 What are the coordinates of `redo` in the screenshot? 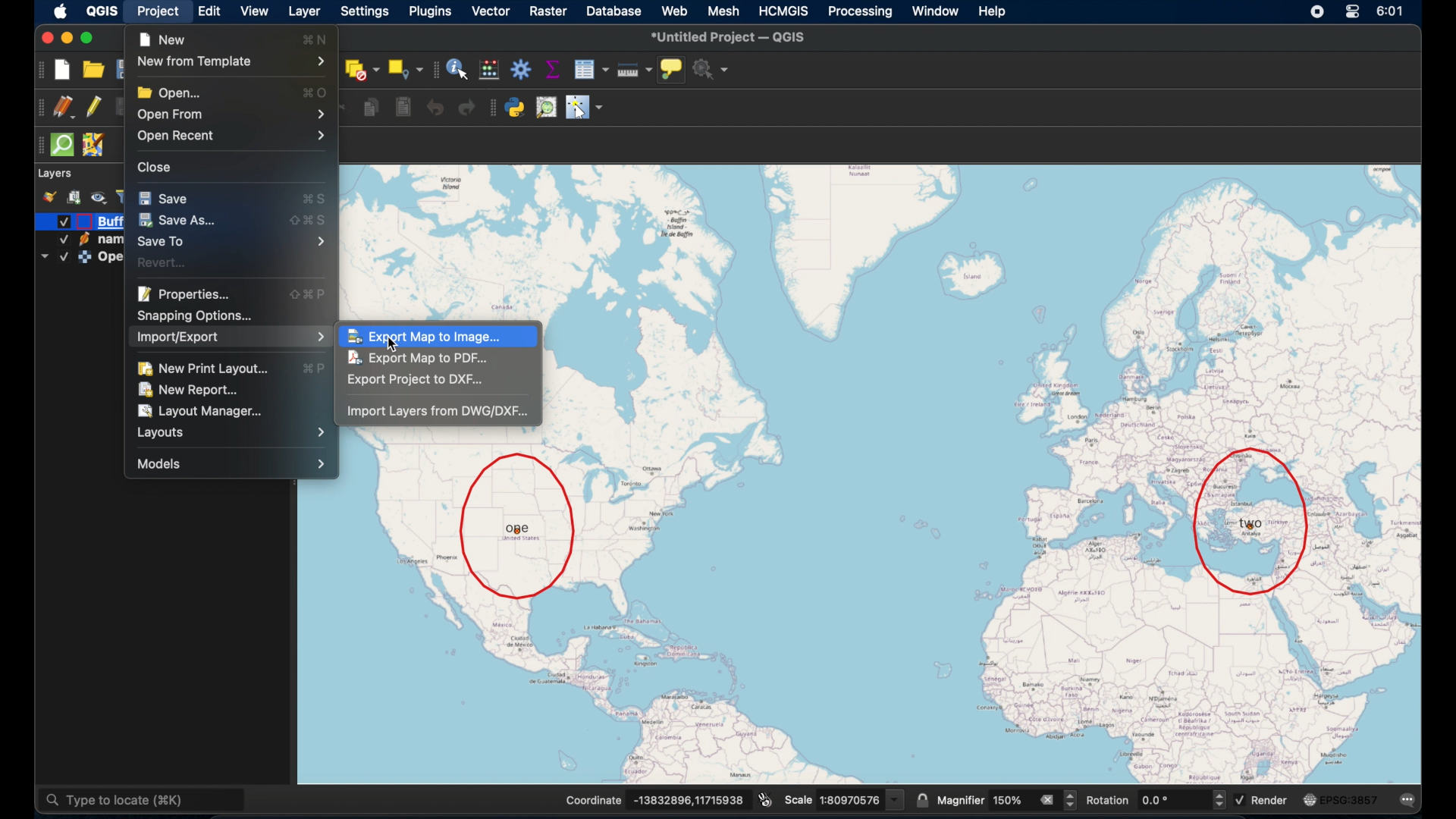 It's located at (466, 108).